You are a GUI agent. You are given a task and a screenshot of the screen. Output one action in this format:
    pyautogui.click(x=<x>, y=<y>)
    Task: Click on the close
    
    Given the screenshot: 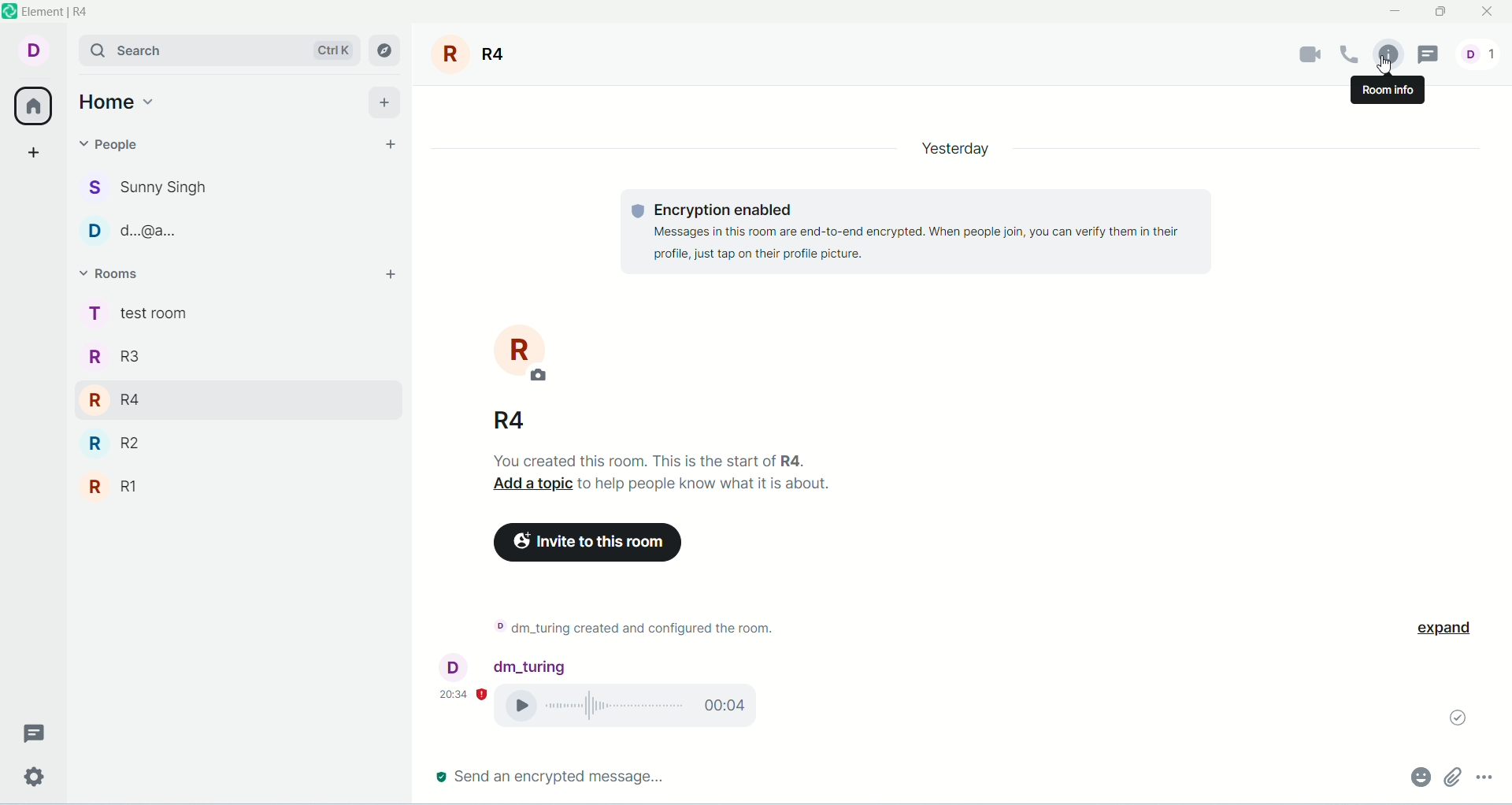 What is the action you would take?
    pyautogui.click(x=1489, y=13)
    